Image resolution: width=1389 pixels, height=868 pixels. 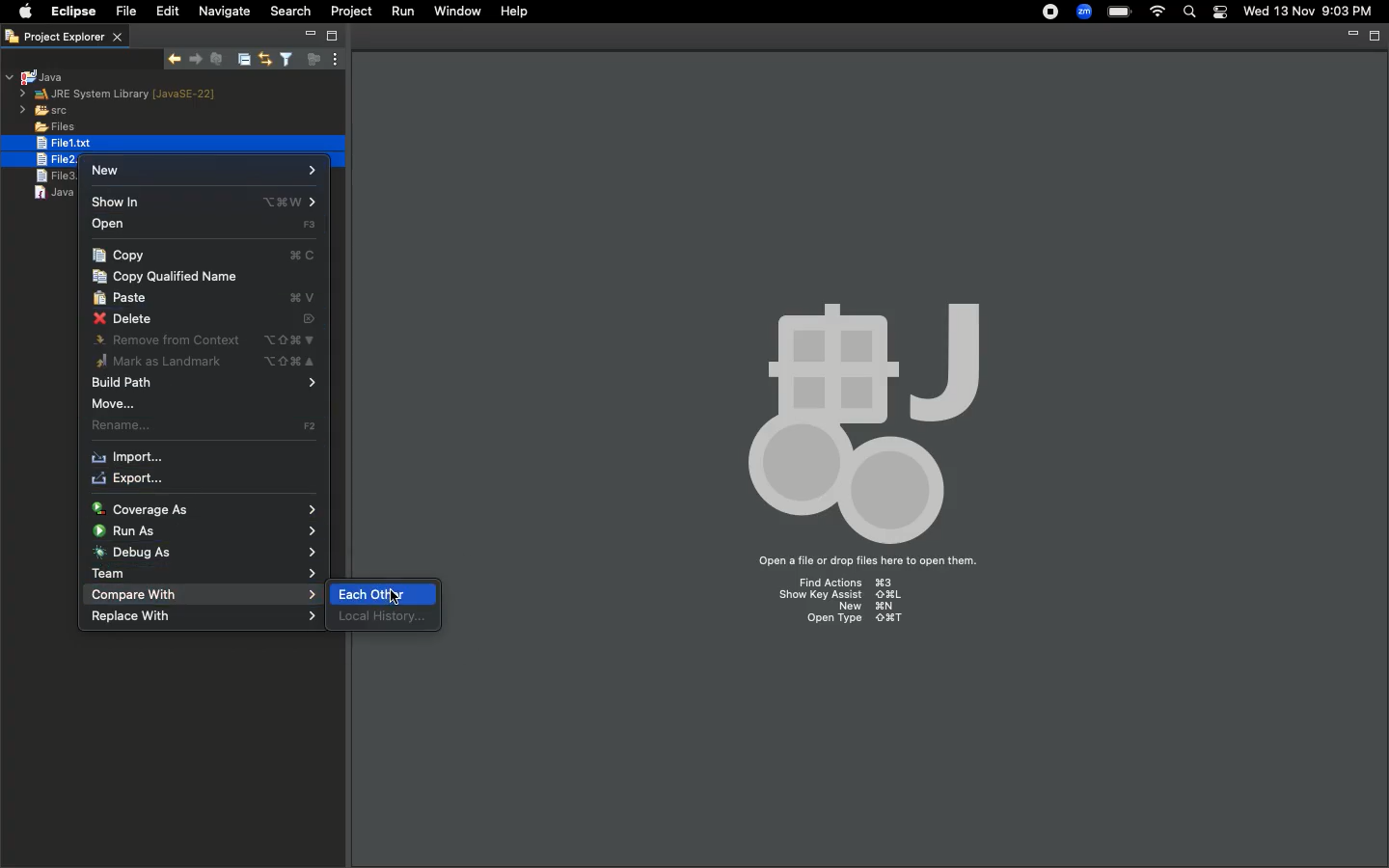 What do you see at coordinates (848, 622) in the screenshot?
I see `Open type` at bounding box center [848, 622].